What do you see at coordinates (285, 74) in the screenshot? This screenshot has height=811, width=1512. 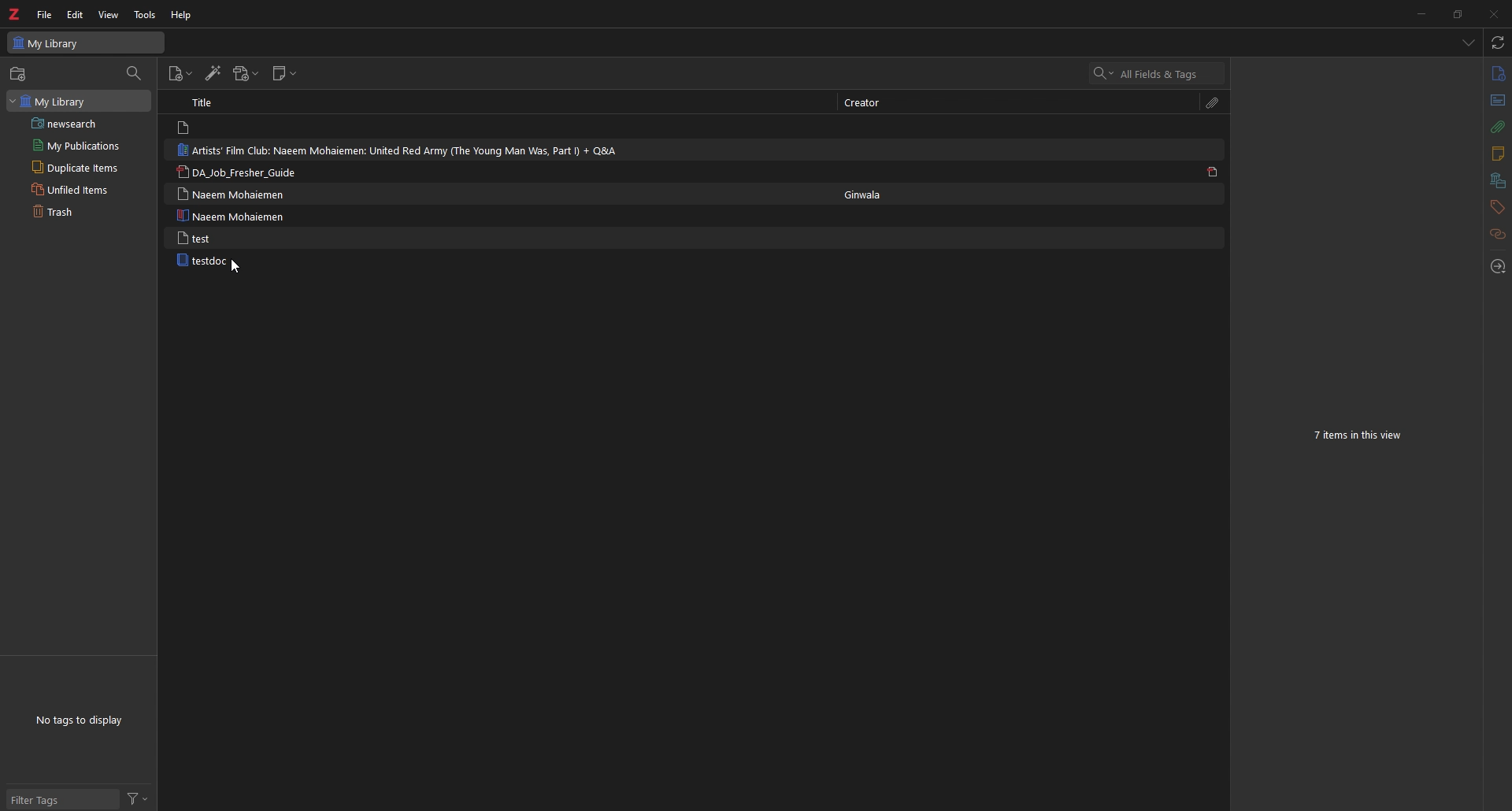 I see `new note` at bounding box center [285, 74].